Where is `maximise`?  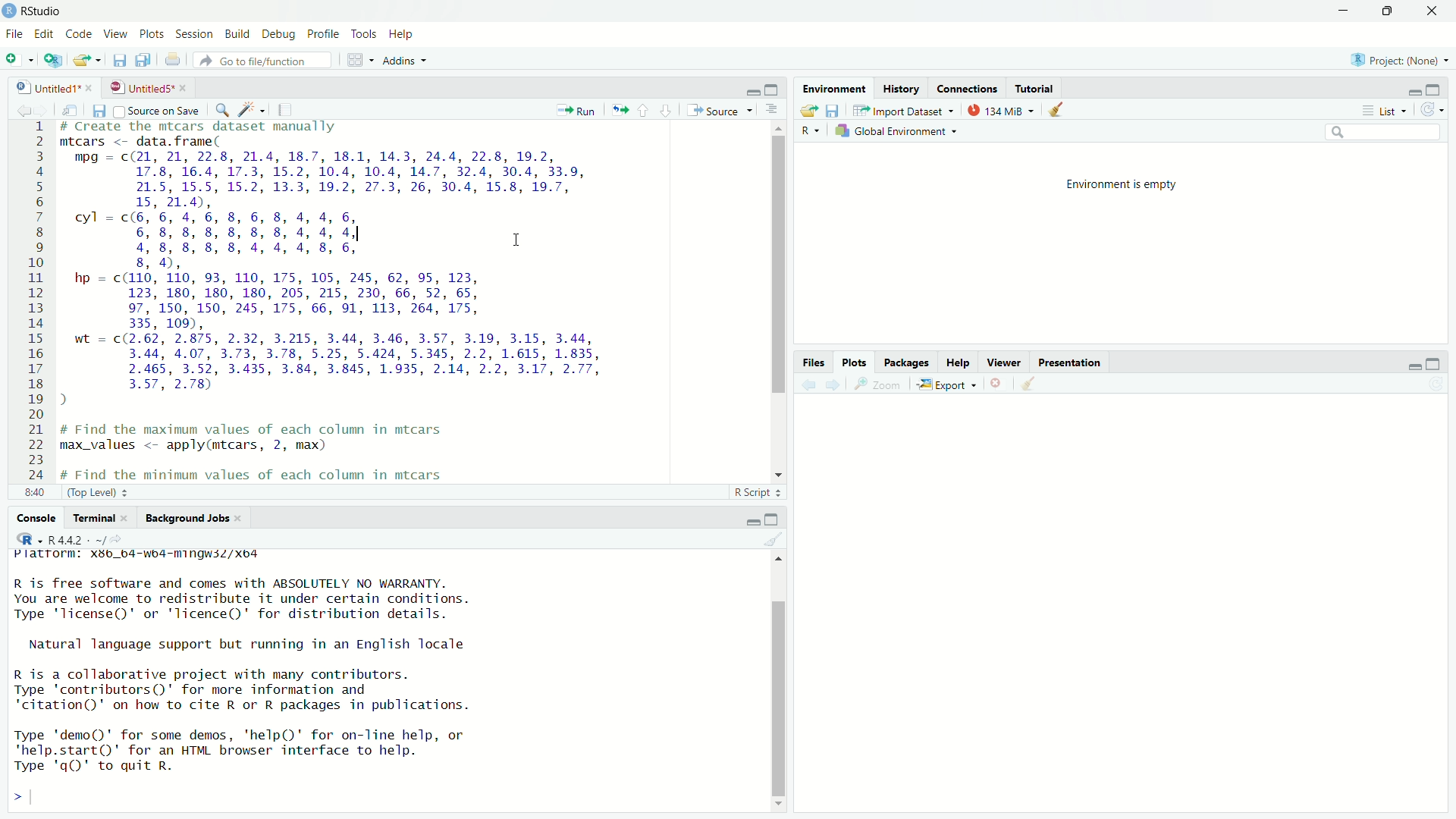 maximise is located at coordinates (1393, 13).